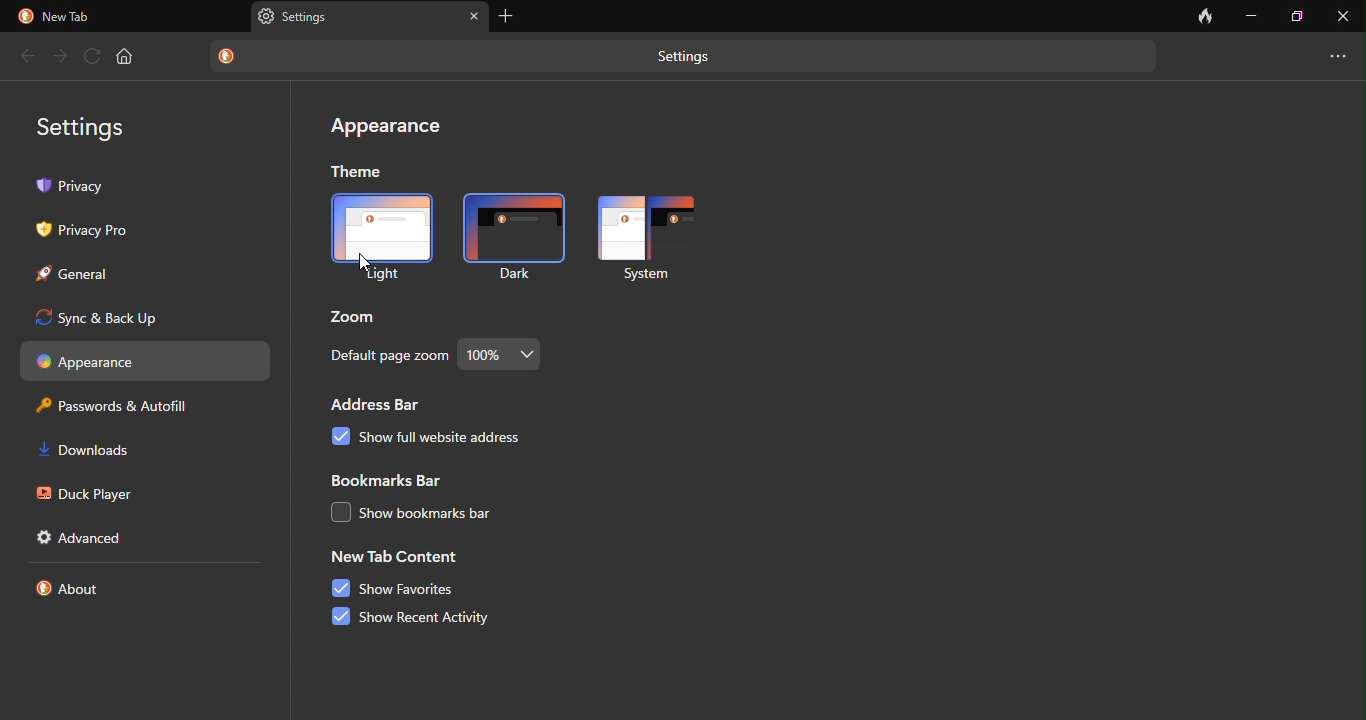  I want to click on show favorites, so click(397, 589).